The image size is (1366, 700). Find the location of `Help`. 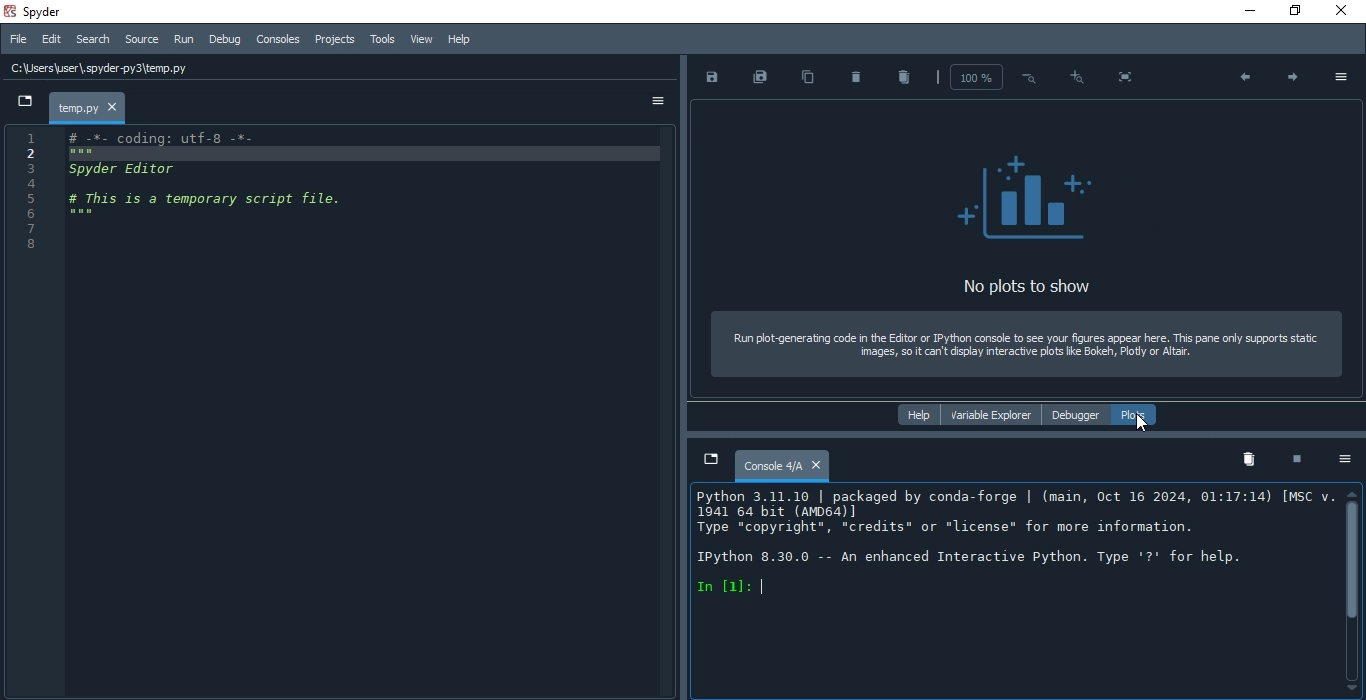

Help is located at coordinates (917, 415).